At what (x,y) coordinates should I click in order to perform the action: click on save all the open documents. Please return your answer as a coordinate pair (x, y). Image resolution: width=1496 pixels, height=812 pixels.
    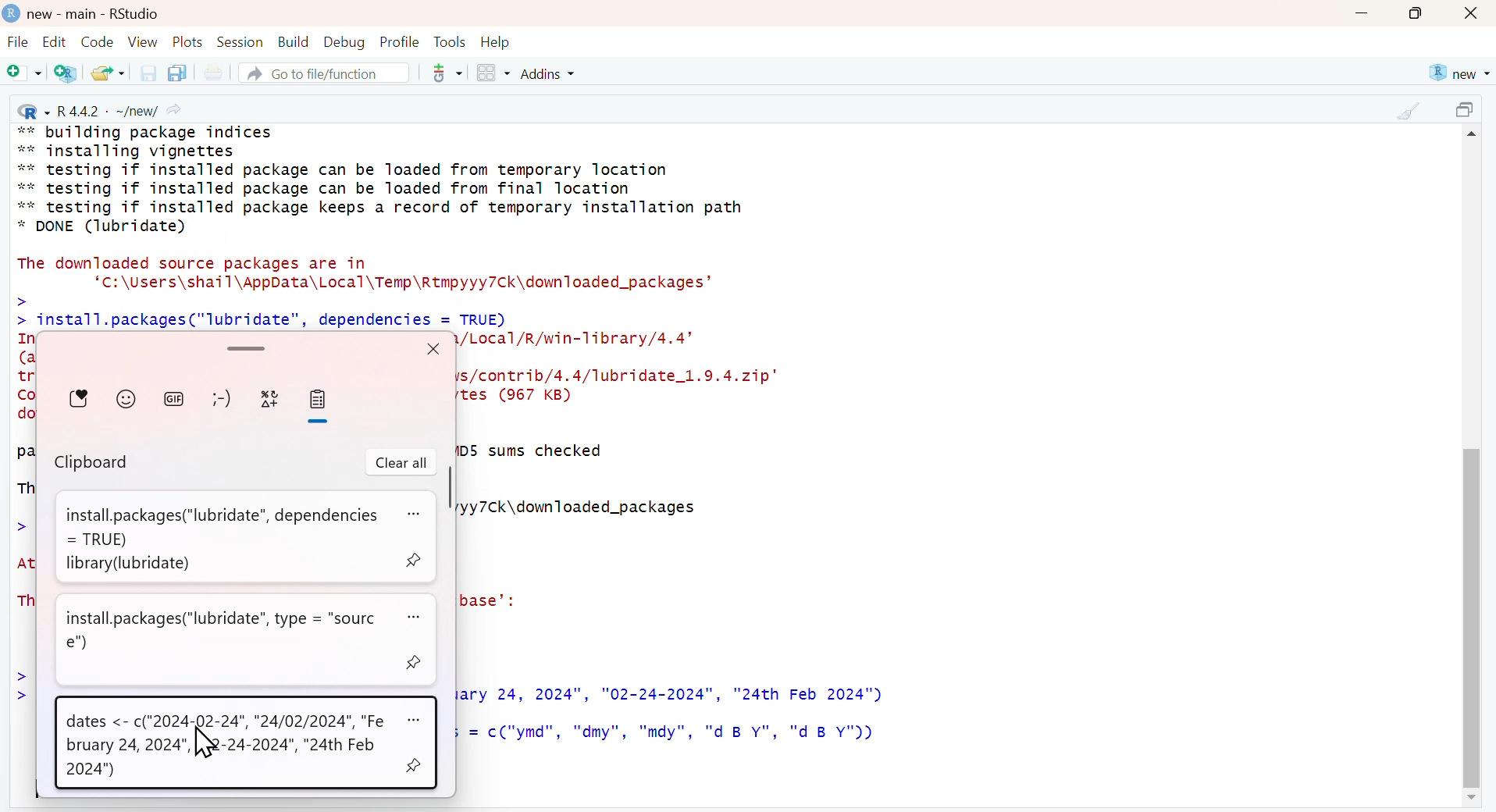
    Looking at the image, I should click on (176, 72).